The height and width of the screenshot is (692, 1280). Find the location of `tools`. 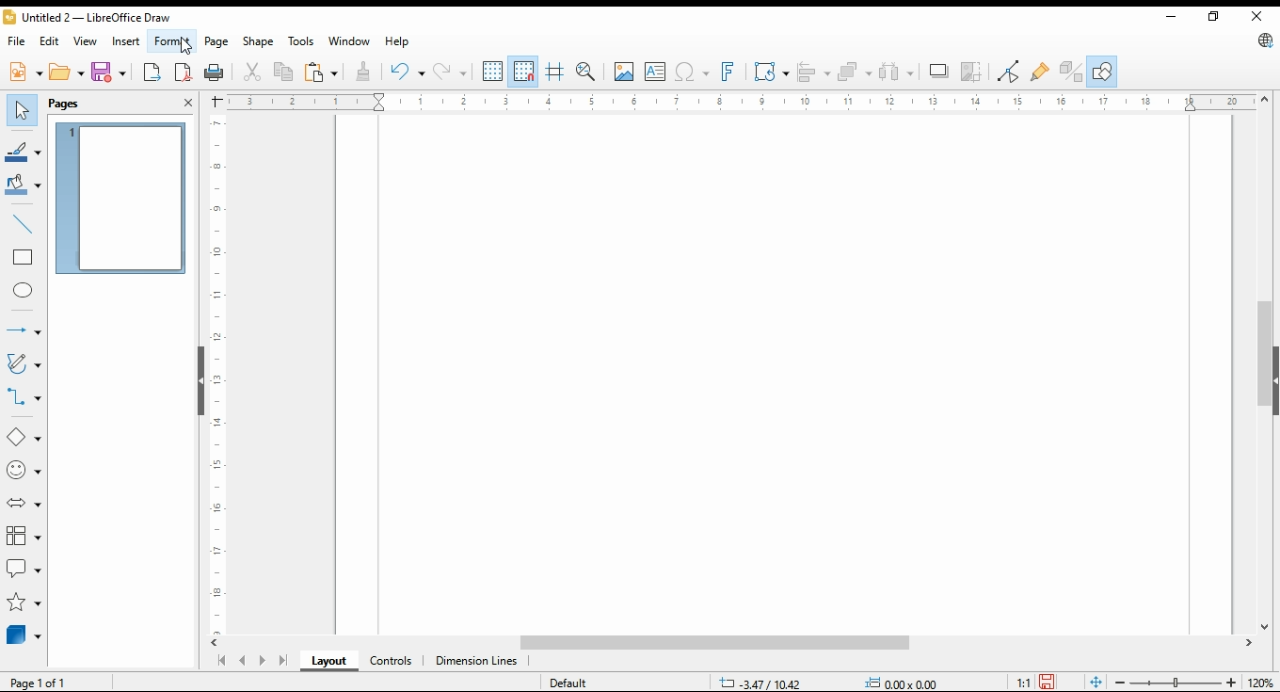

tools is located at coordinates (300, 41).